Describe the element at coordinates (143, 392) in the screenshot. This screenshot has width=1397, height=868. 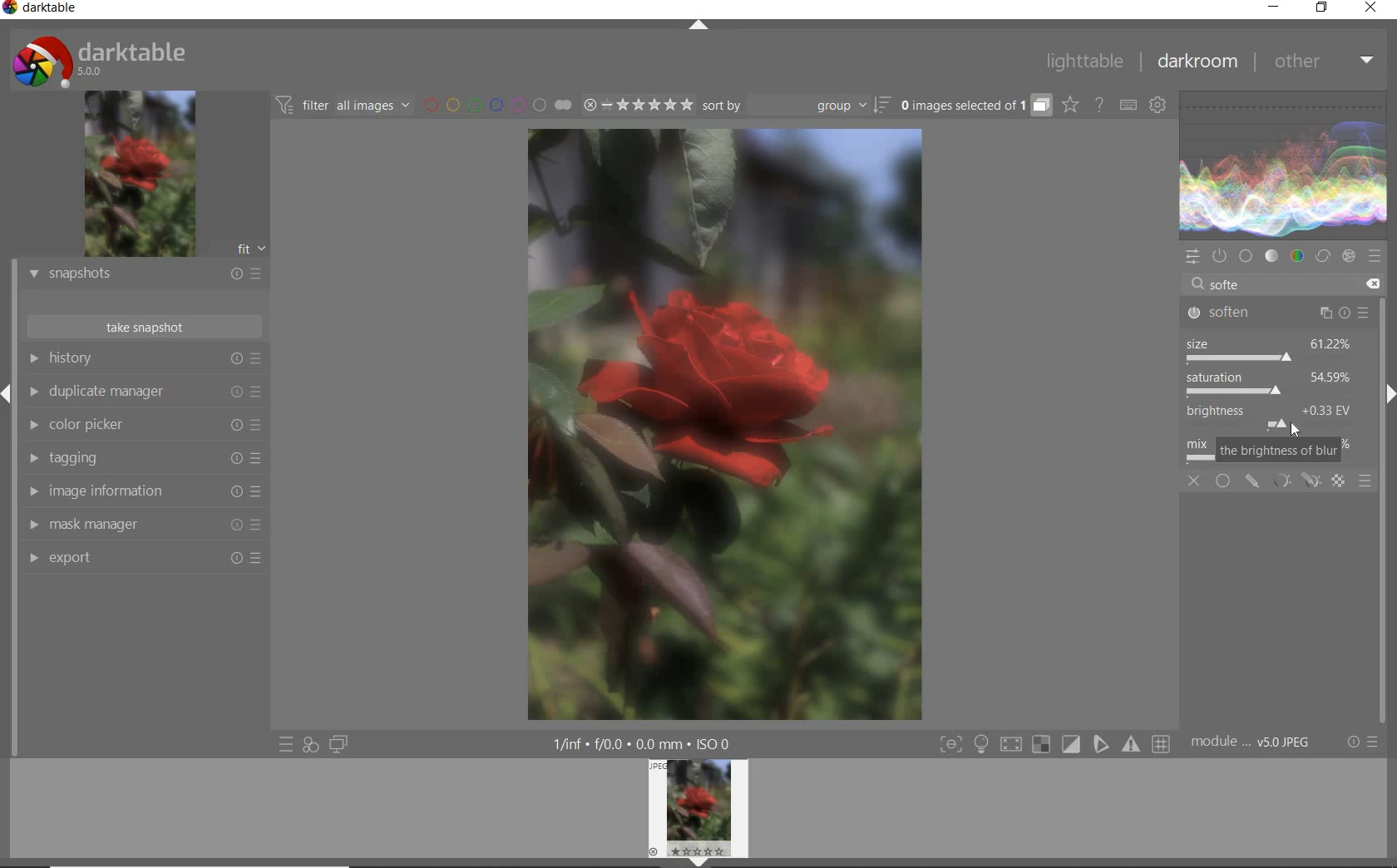
I see `duplicate manager` at that location.